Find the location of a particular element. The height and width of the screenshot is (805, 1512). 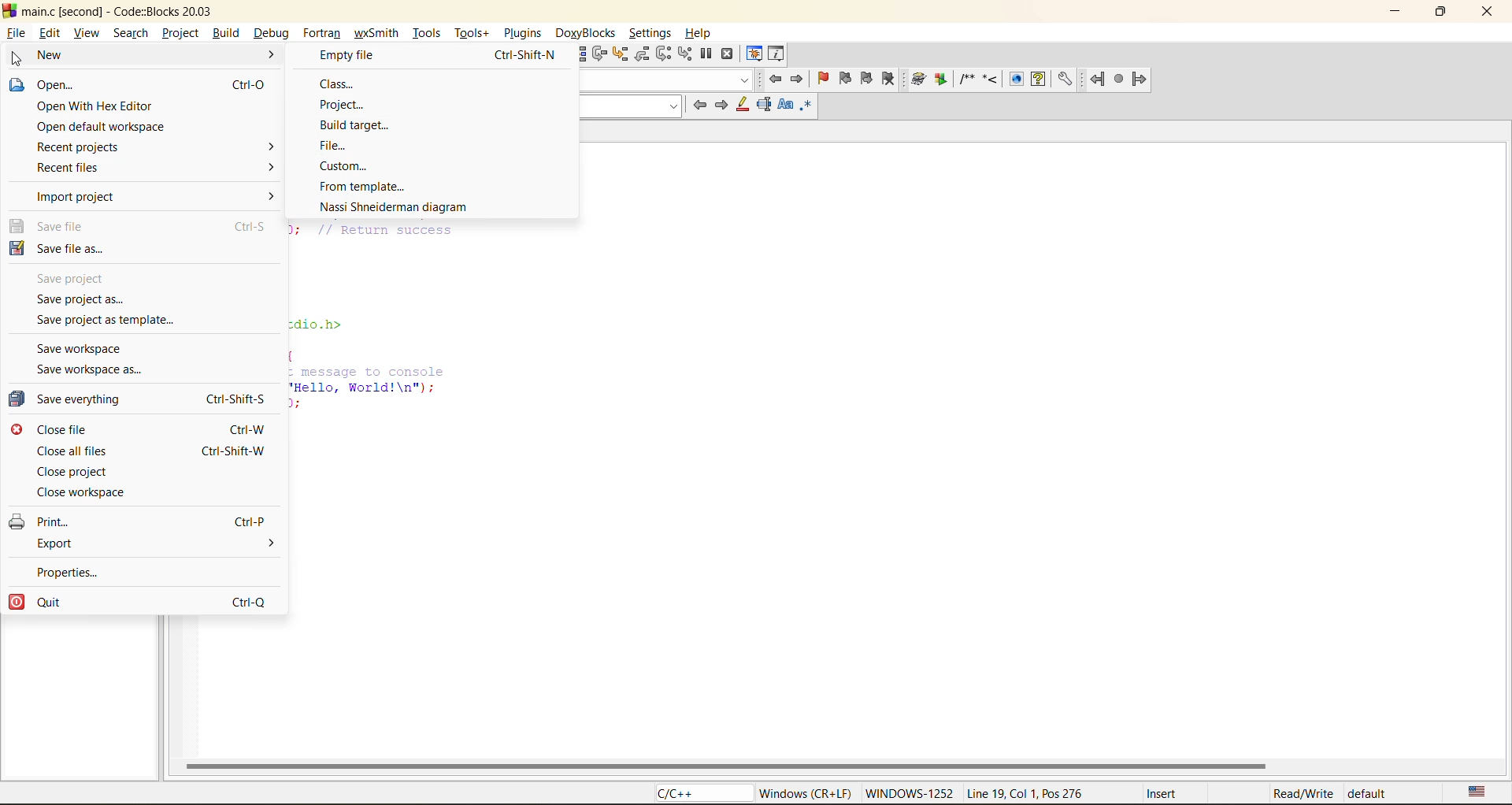

save workspace as is located at coordinates (94, 369).